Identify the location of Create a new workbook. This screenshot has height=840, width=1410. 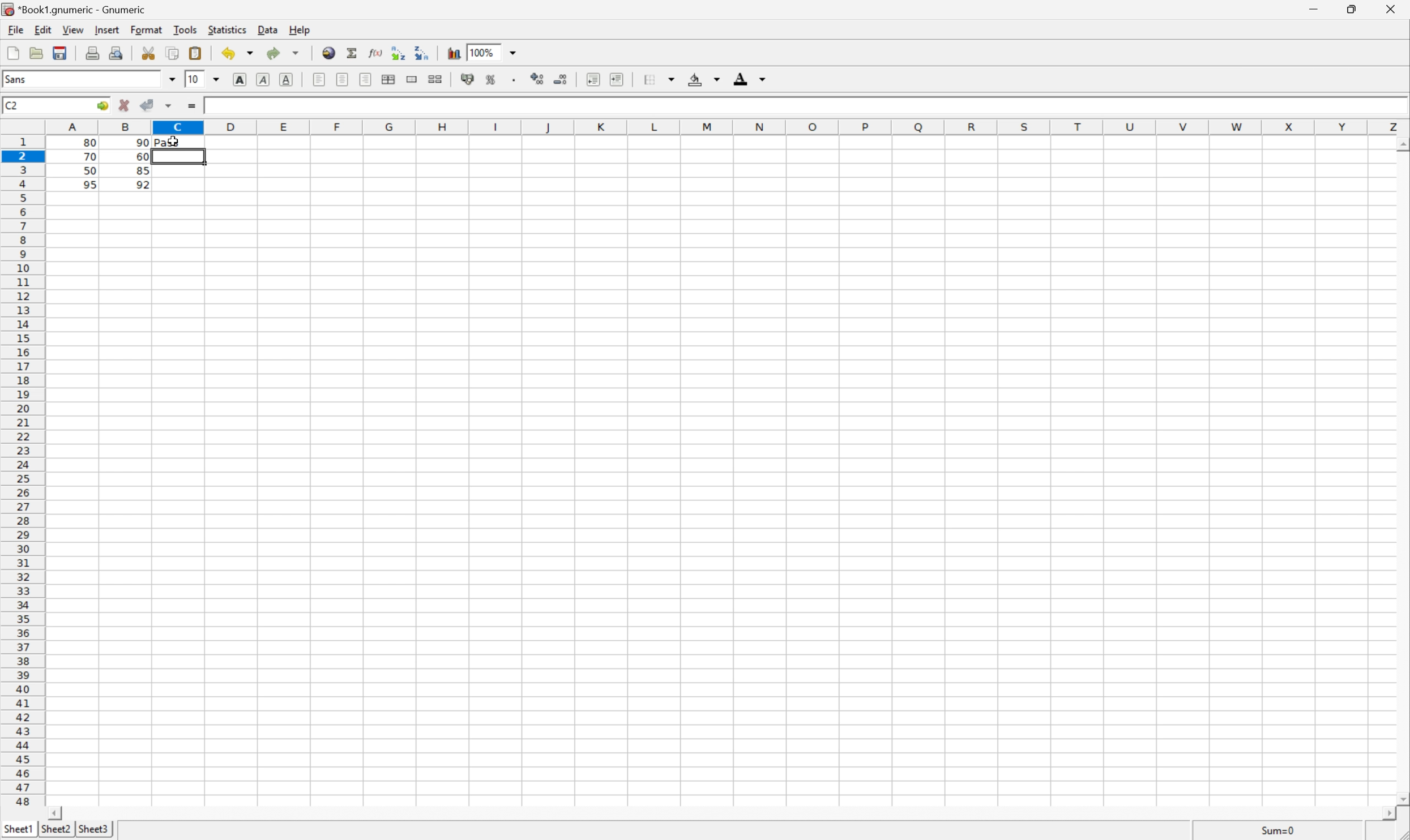
(12, 50).